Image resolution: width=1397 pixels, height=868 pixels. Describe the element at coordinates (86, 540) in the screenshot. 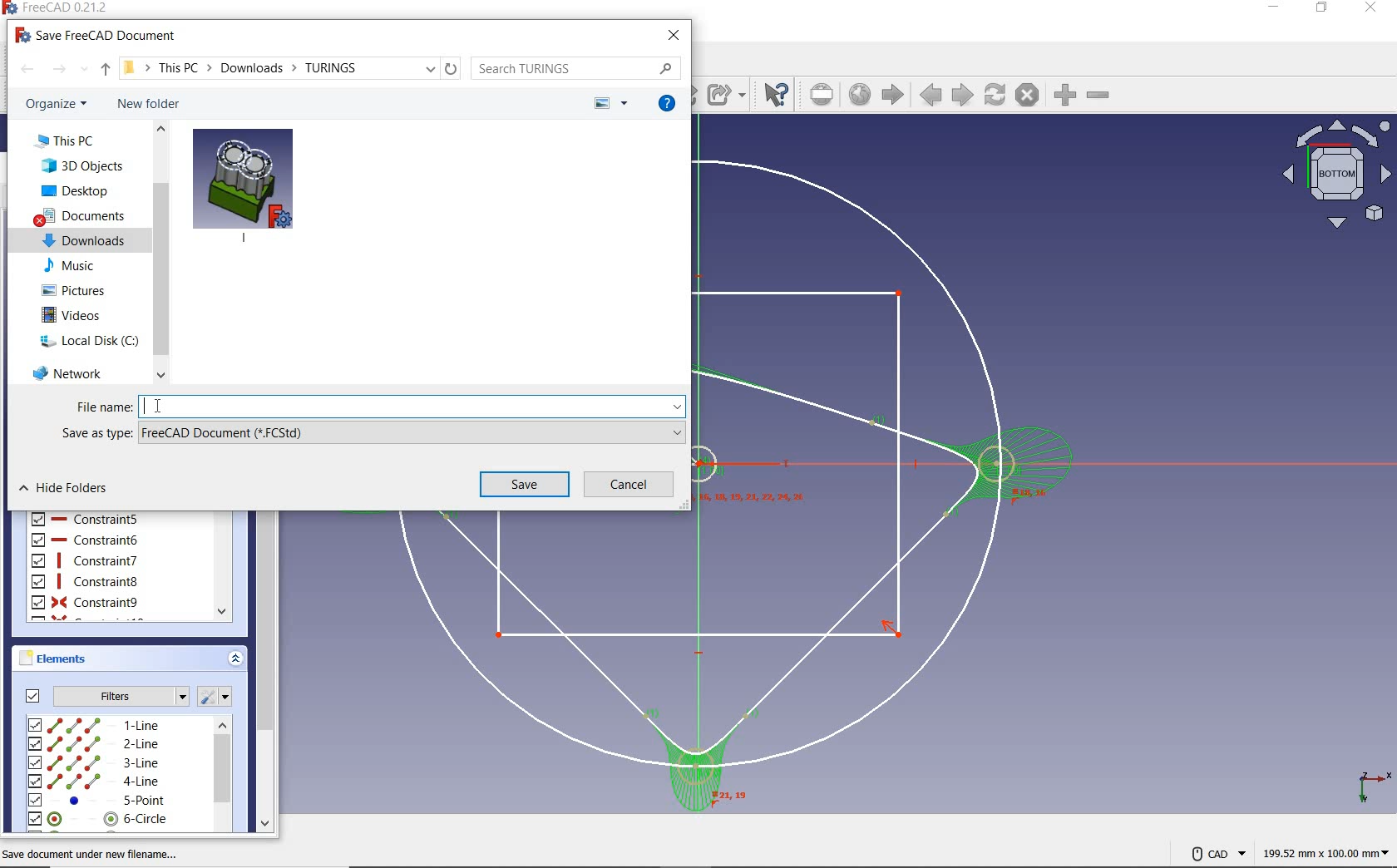

I see `constraint6` at that location.